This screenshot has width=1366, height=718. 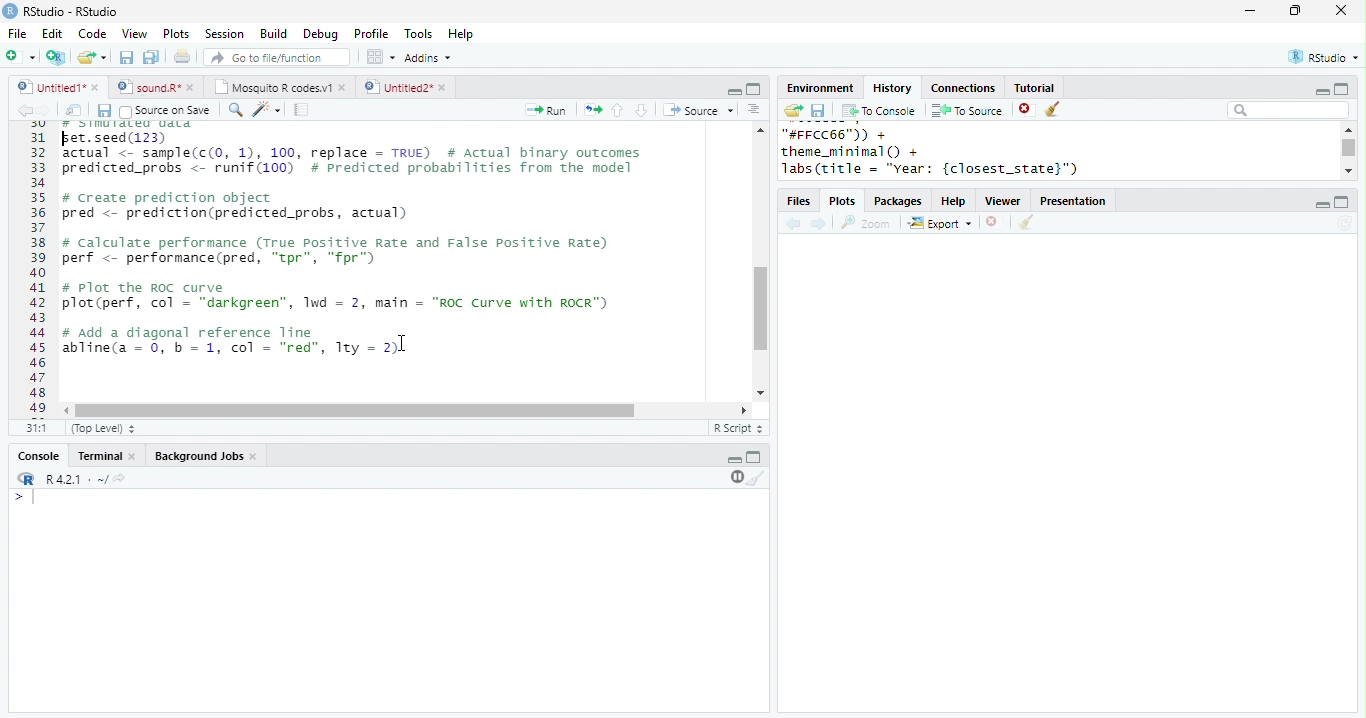 I want to click on forward, so click(x=820, y=225).